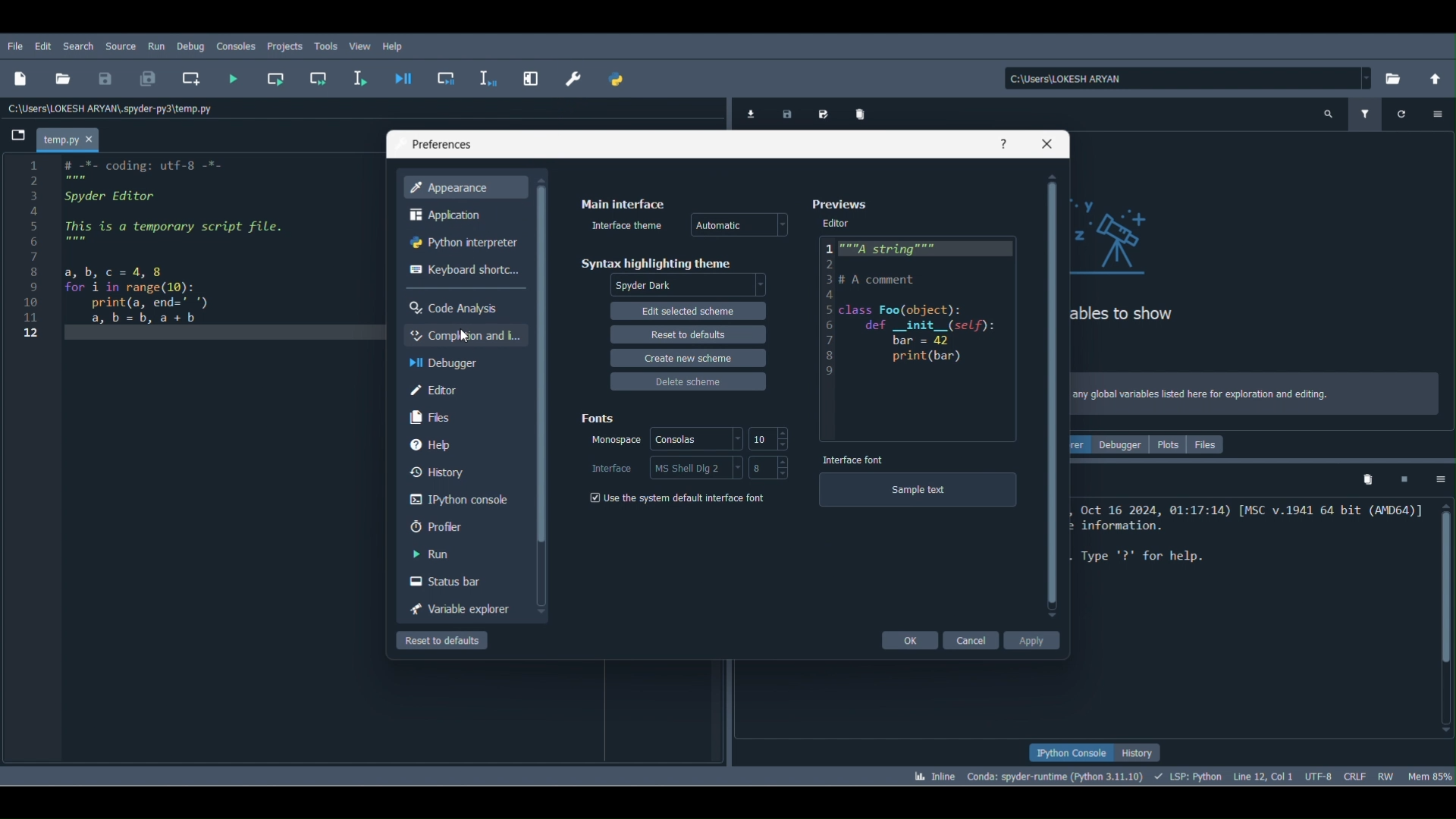 The image size is (1456, 819). Describe the element at coordinates (447, 582) in the screenshot. I see `Status bar` at that location.